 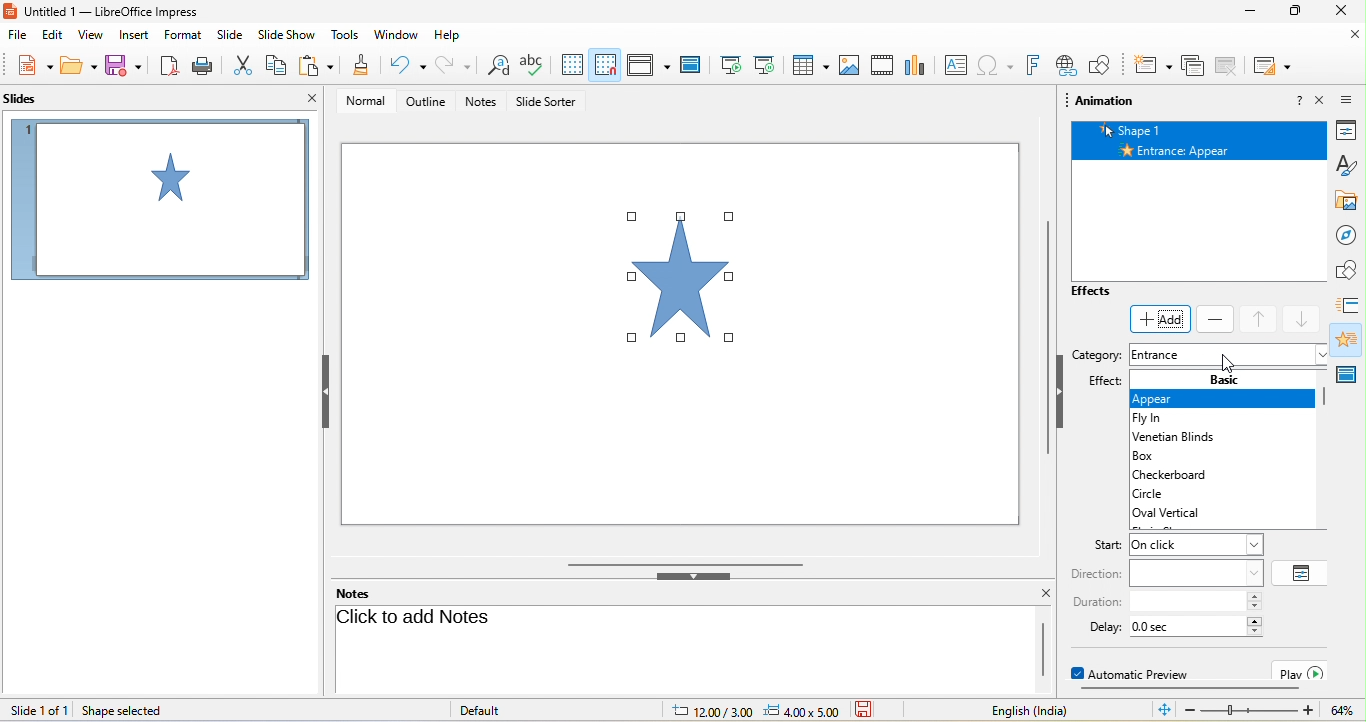 What do you see at coordinates (847, 65) in the screenshot?
I see `image` at bounding box center [847, 65].